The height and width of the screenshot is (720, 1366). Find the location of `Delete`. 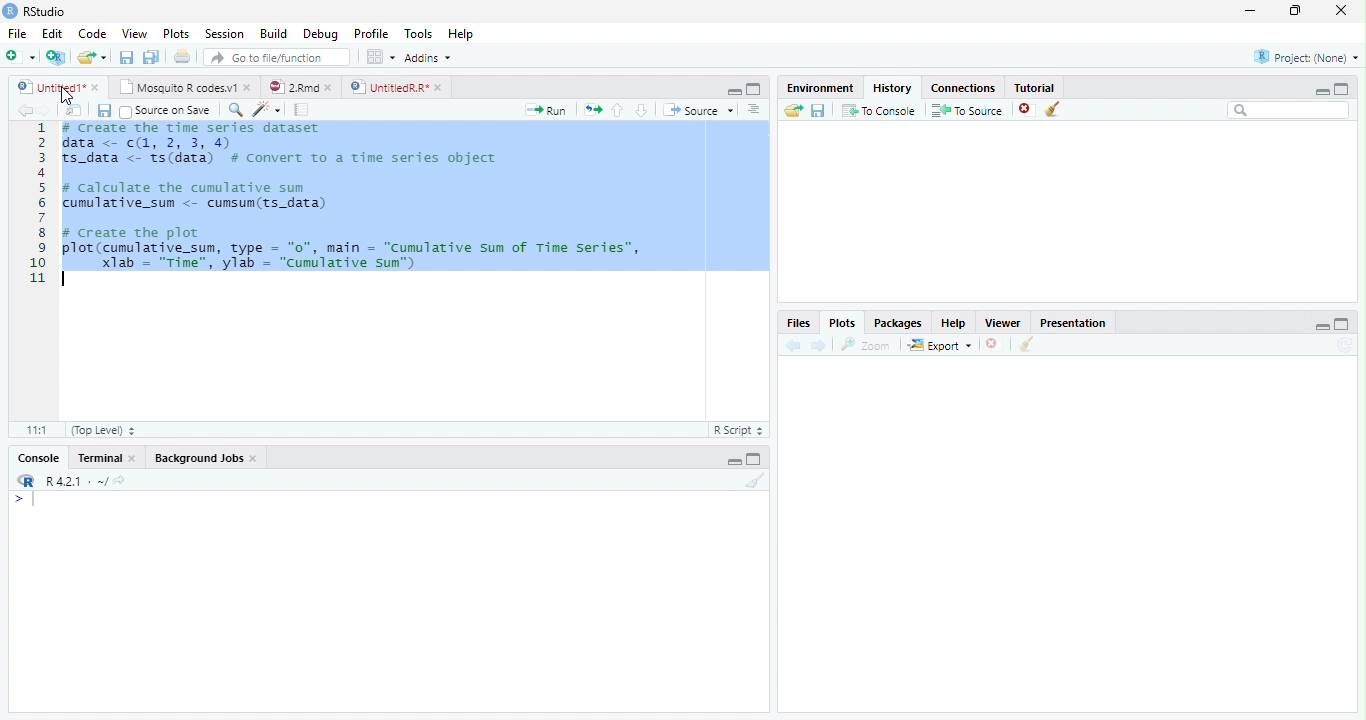

Delete is located at coordinates (1023, 108).